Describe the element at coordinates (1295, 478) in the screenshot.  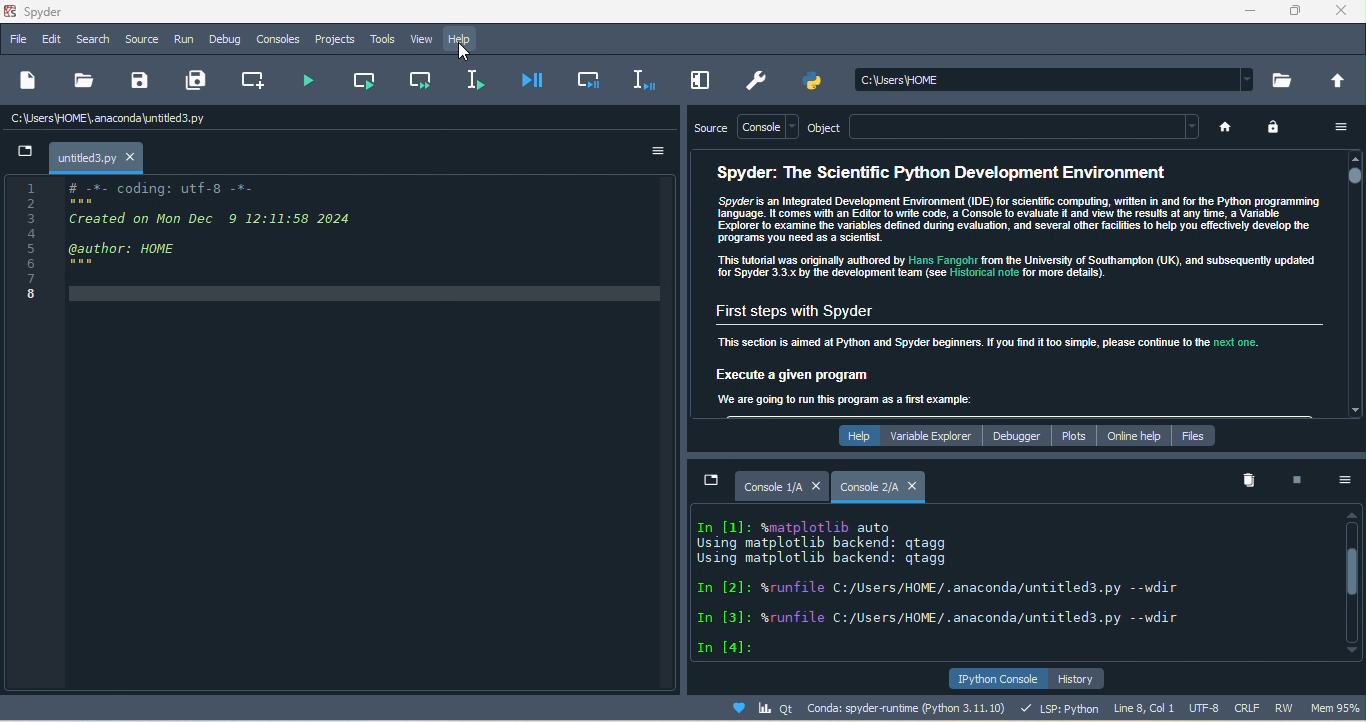
I see `interrupt kenel` at that location.